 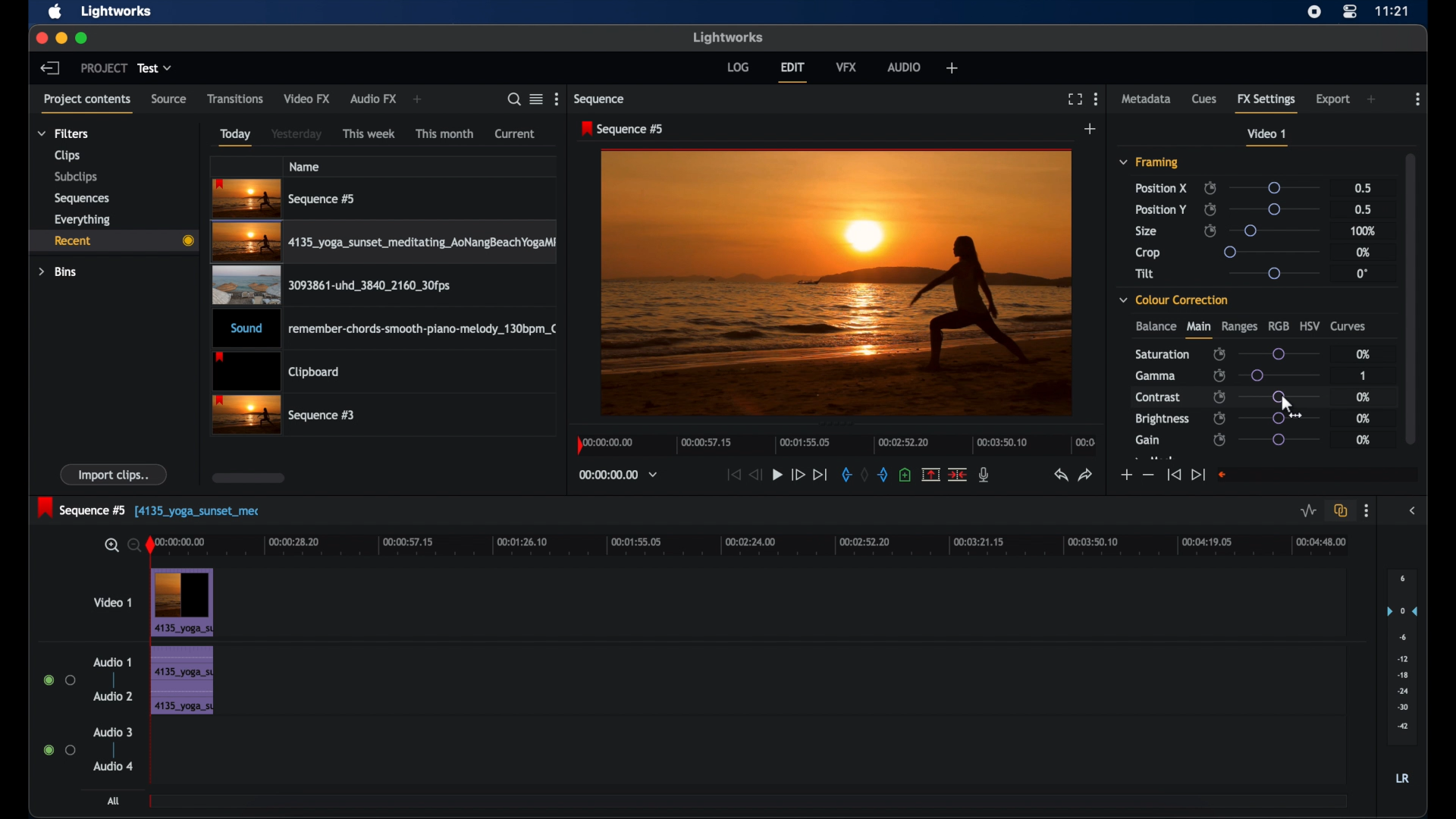 I want to click on video clip, so click(x=285, y=416).